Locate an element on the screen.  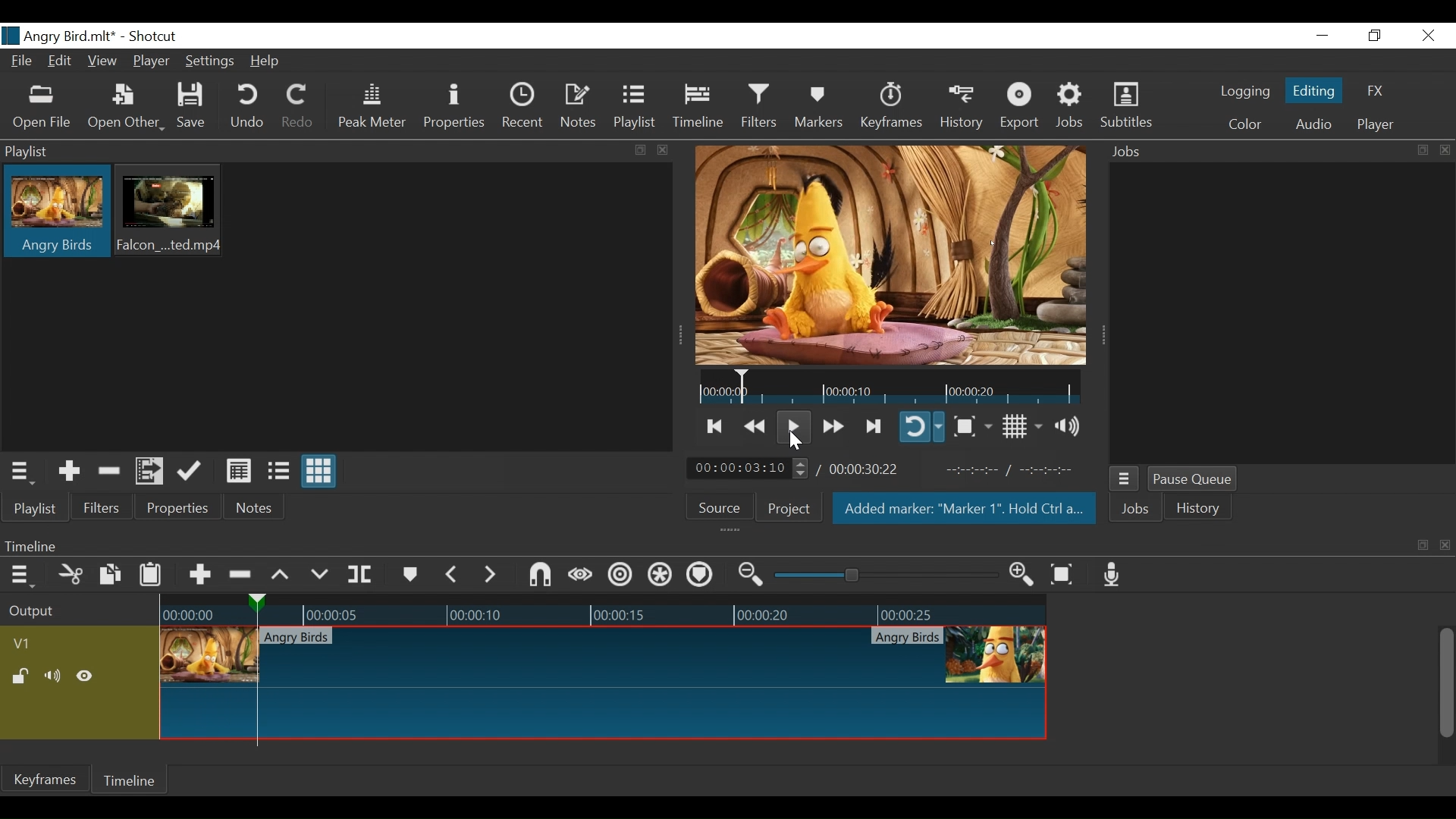
Timeline is located at coordinates (698, 108).